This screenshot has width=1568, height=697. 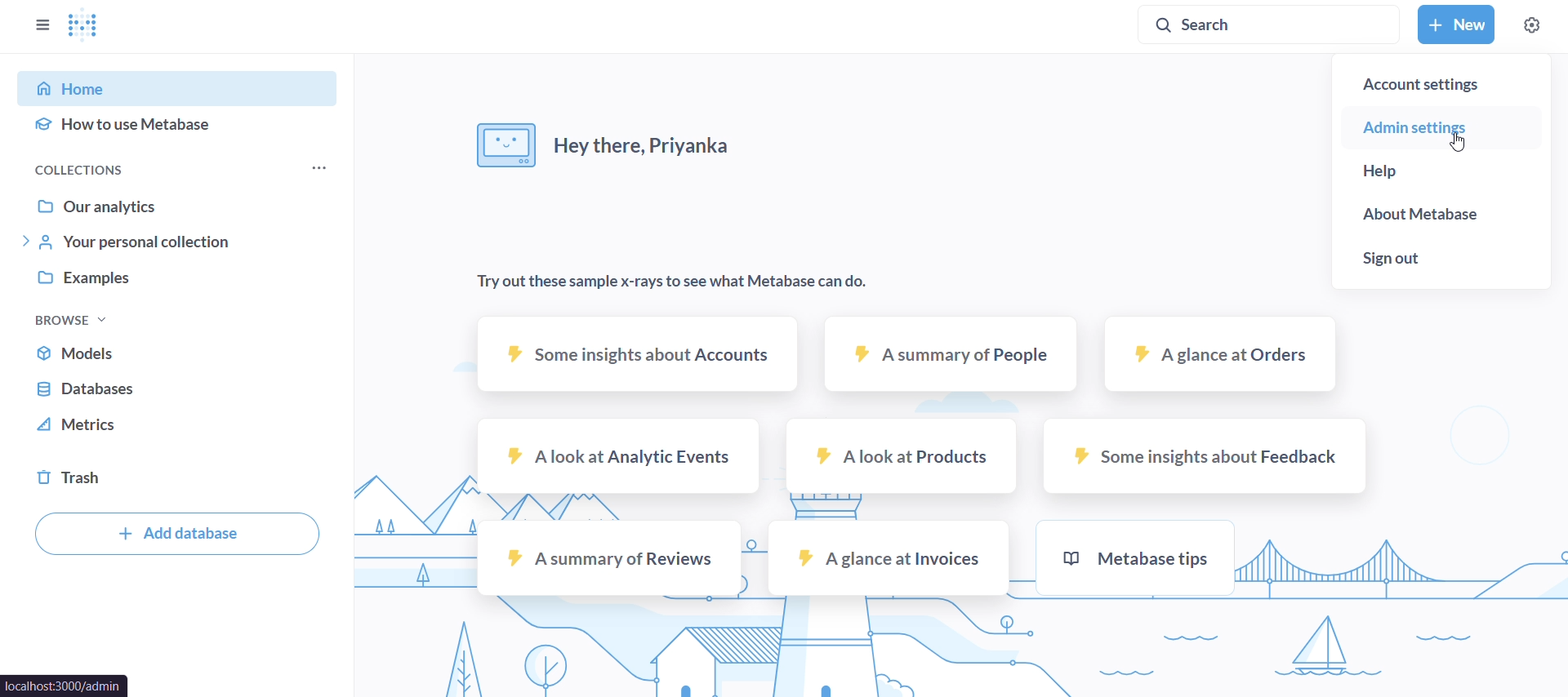 What do you see at coordinates (1270, 26) in the screenshot?
I see `search` at bounding box center [1270, 26].